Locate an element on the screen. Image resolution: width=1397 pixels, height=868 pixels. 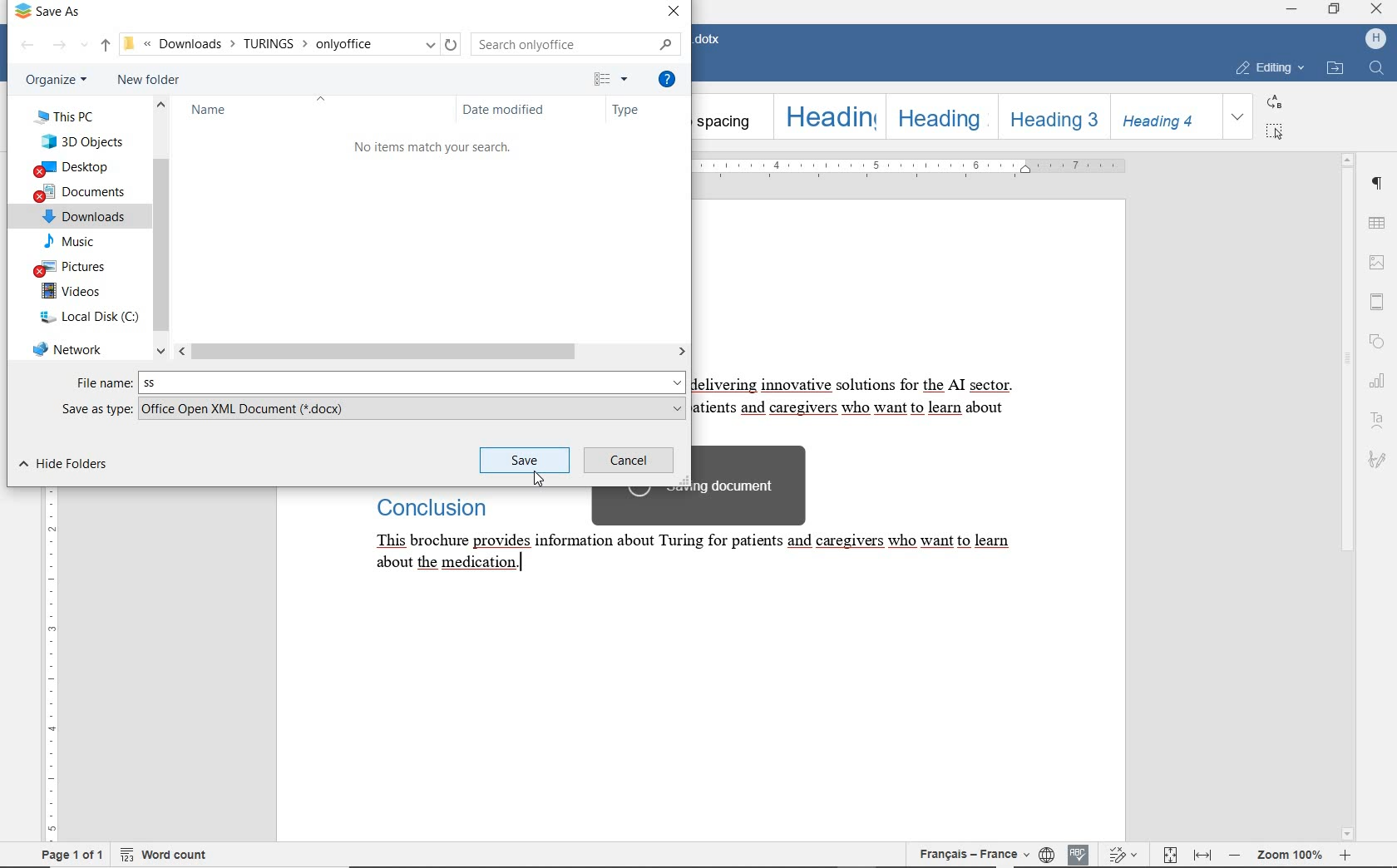
.docx added is located at coordinates (412, 410).